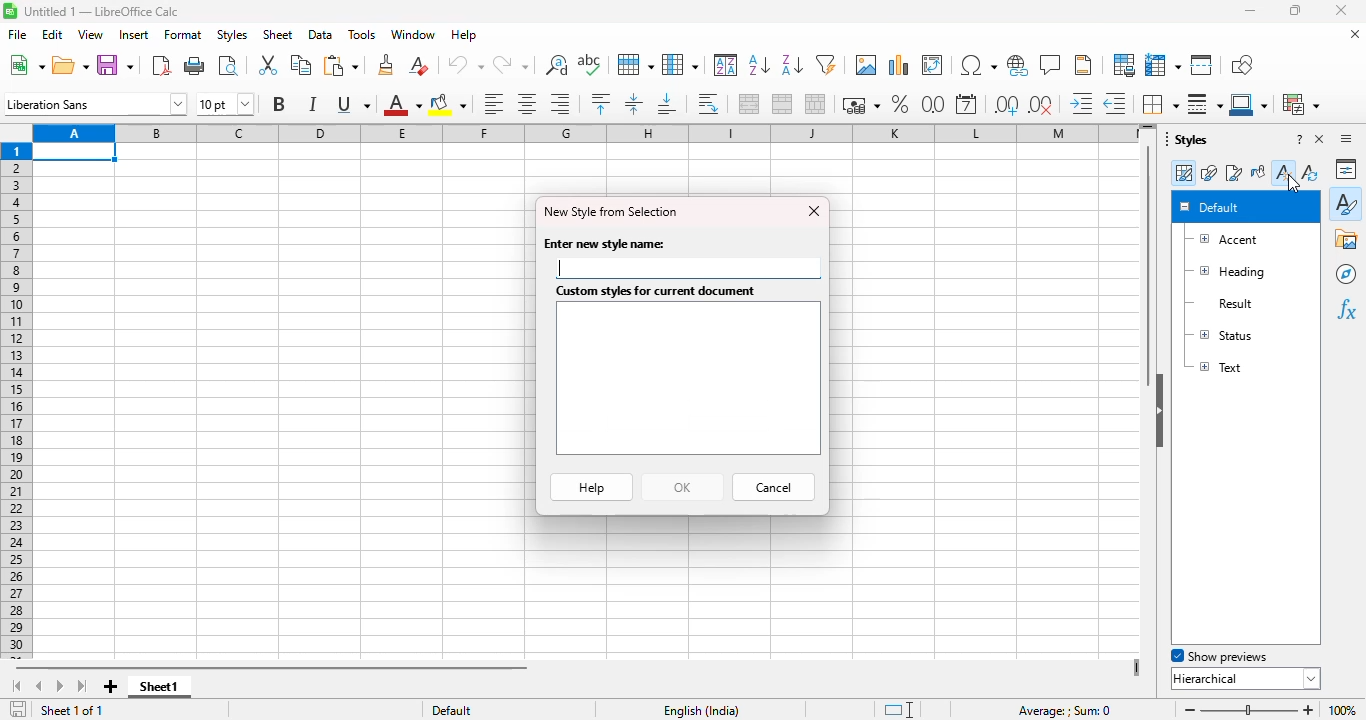  Describe the element at coordinates (1293, 184) in the screenshot. I see `cursor` at that location.